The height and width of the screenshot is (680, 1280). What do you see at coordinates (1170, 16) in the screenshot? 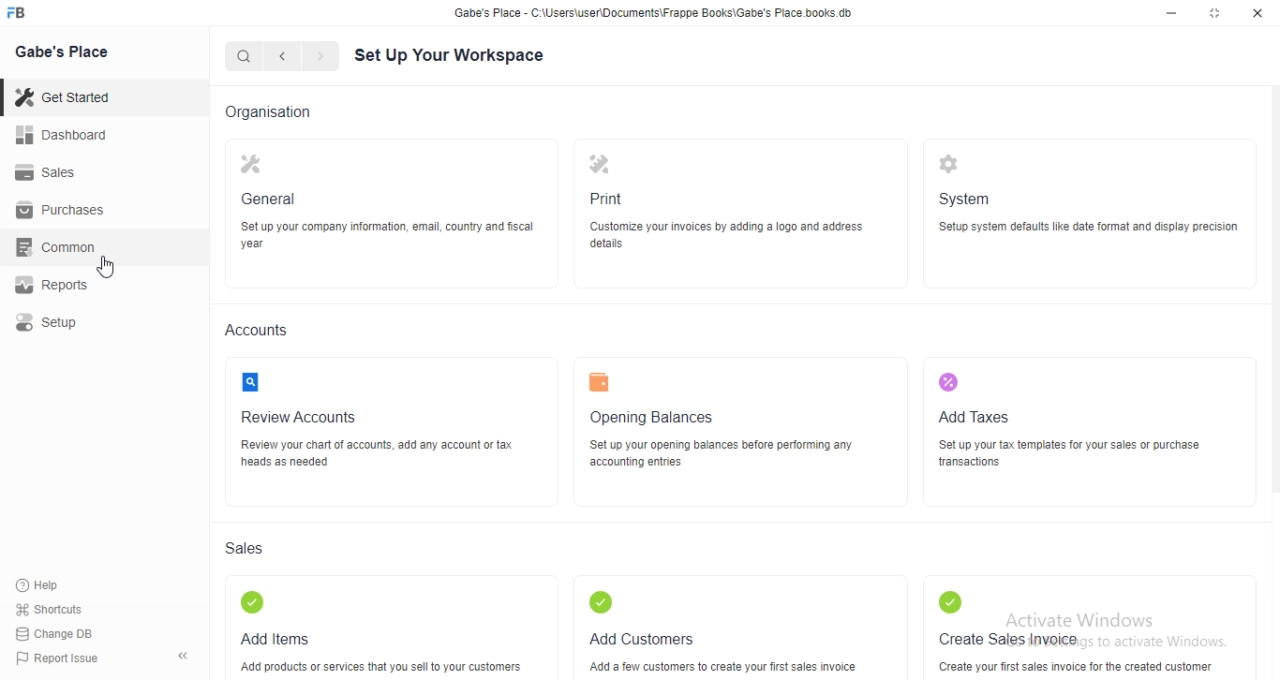
I see `minimize` at bounding box center [1170, 16].